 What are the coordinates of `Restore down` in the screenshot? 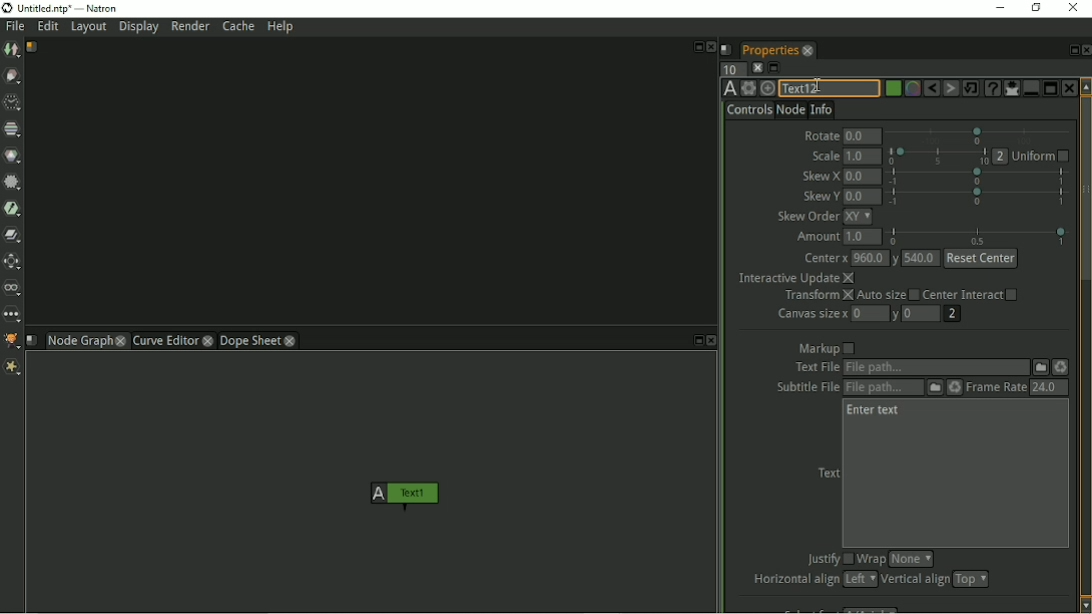 It's located at (1034, 7).